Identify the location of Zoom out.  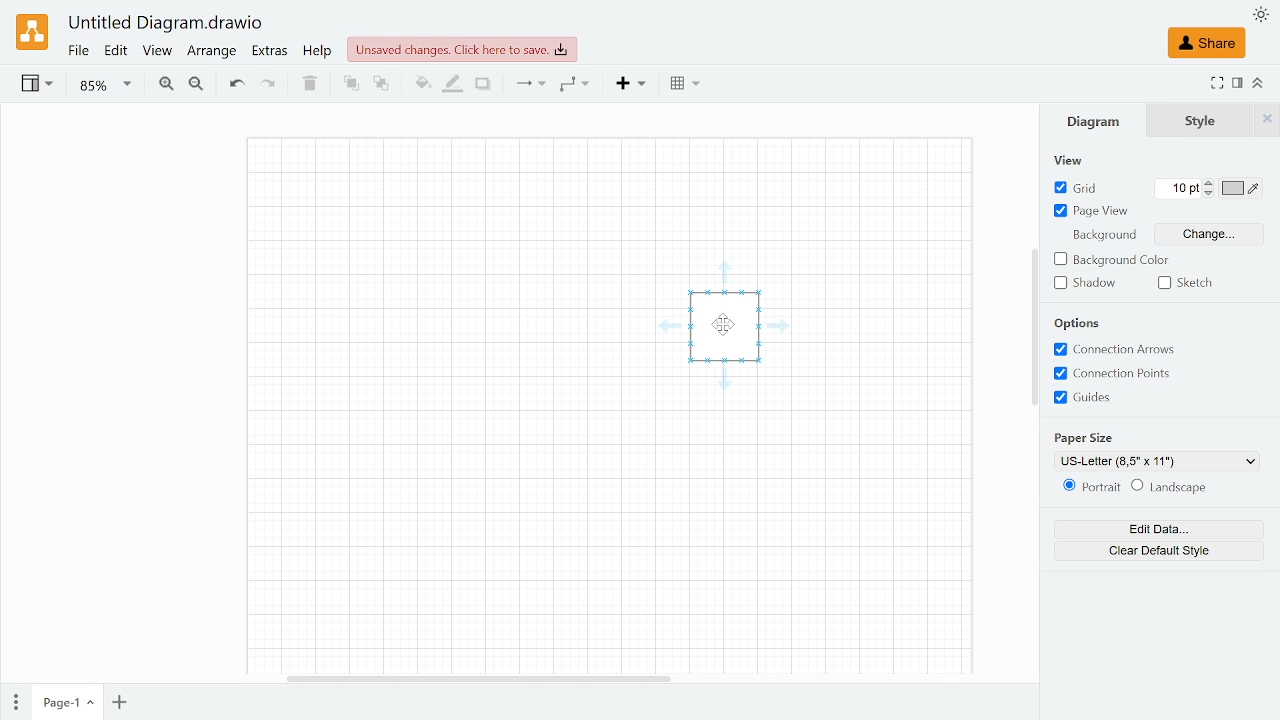
(196, 86).